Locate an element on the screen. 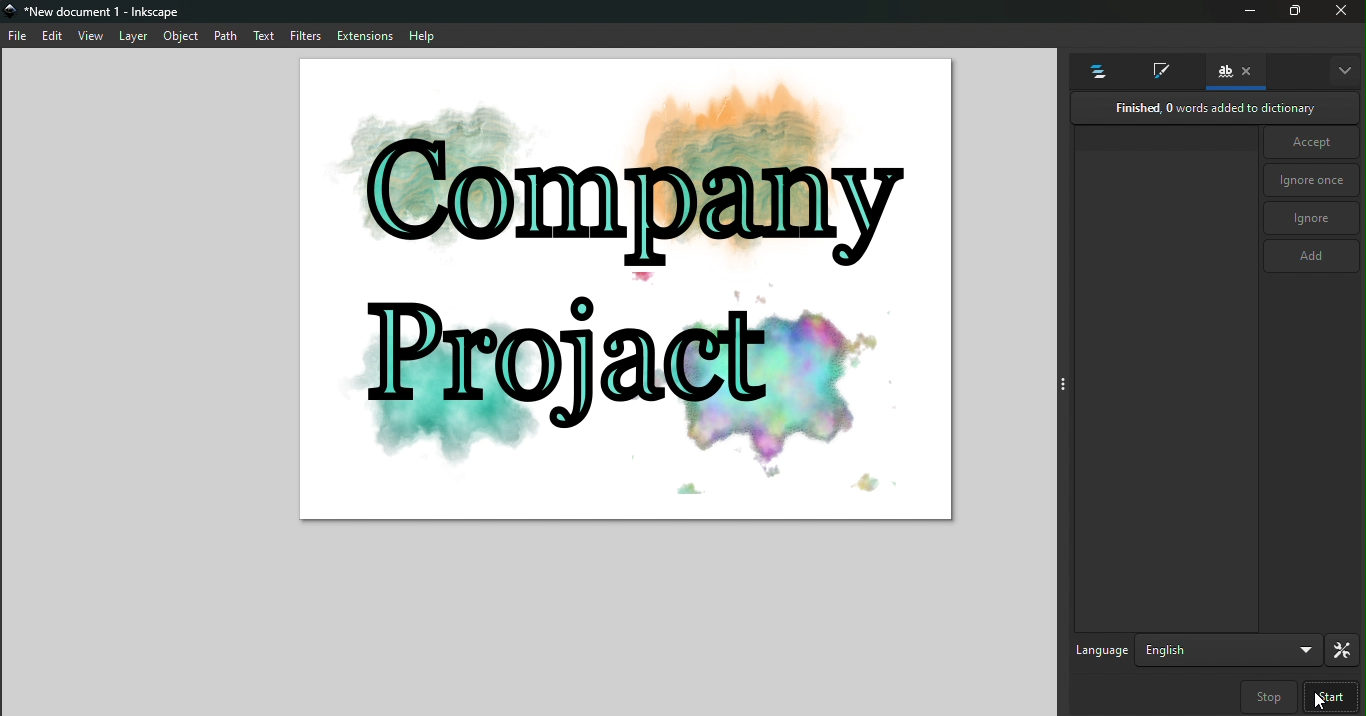 The width and height of the screenshot is (1366, 716). Step is located at coordinates (1268, 696).